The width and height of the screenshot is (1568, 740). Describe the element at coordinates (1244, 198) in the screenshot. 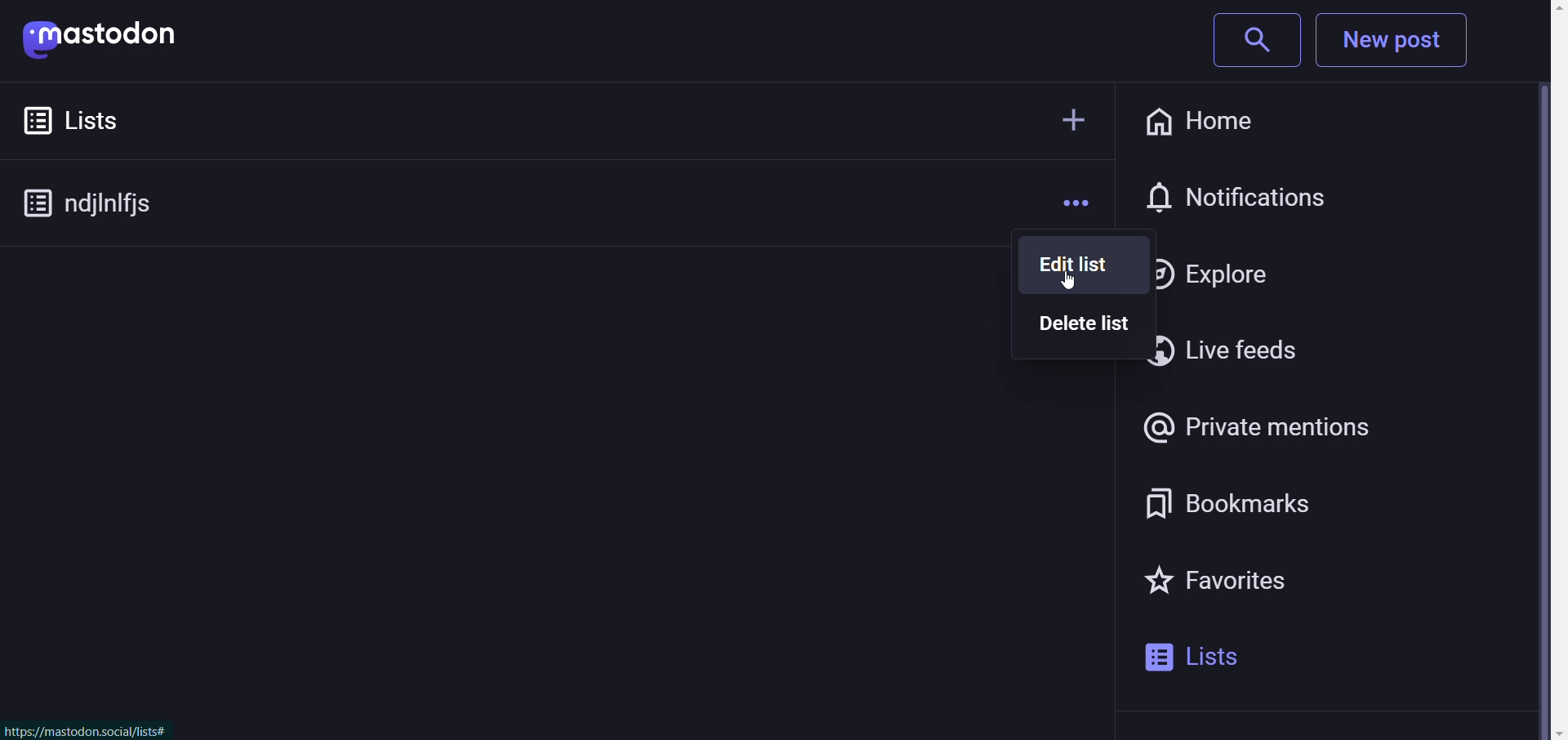

I see `notification` at that location.